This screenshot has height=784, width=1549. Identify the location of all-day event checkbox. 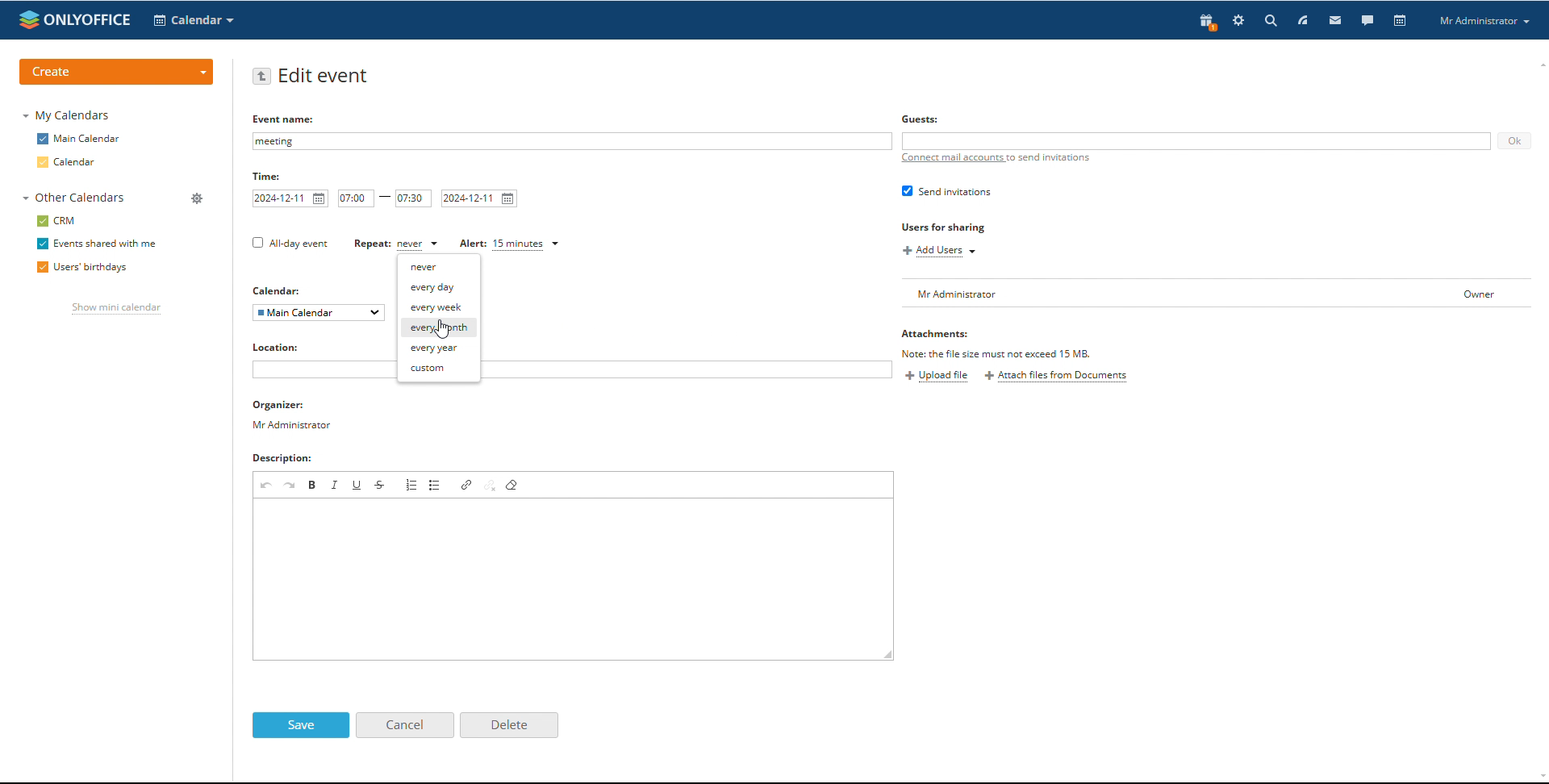
(288, 243).